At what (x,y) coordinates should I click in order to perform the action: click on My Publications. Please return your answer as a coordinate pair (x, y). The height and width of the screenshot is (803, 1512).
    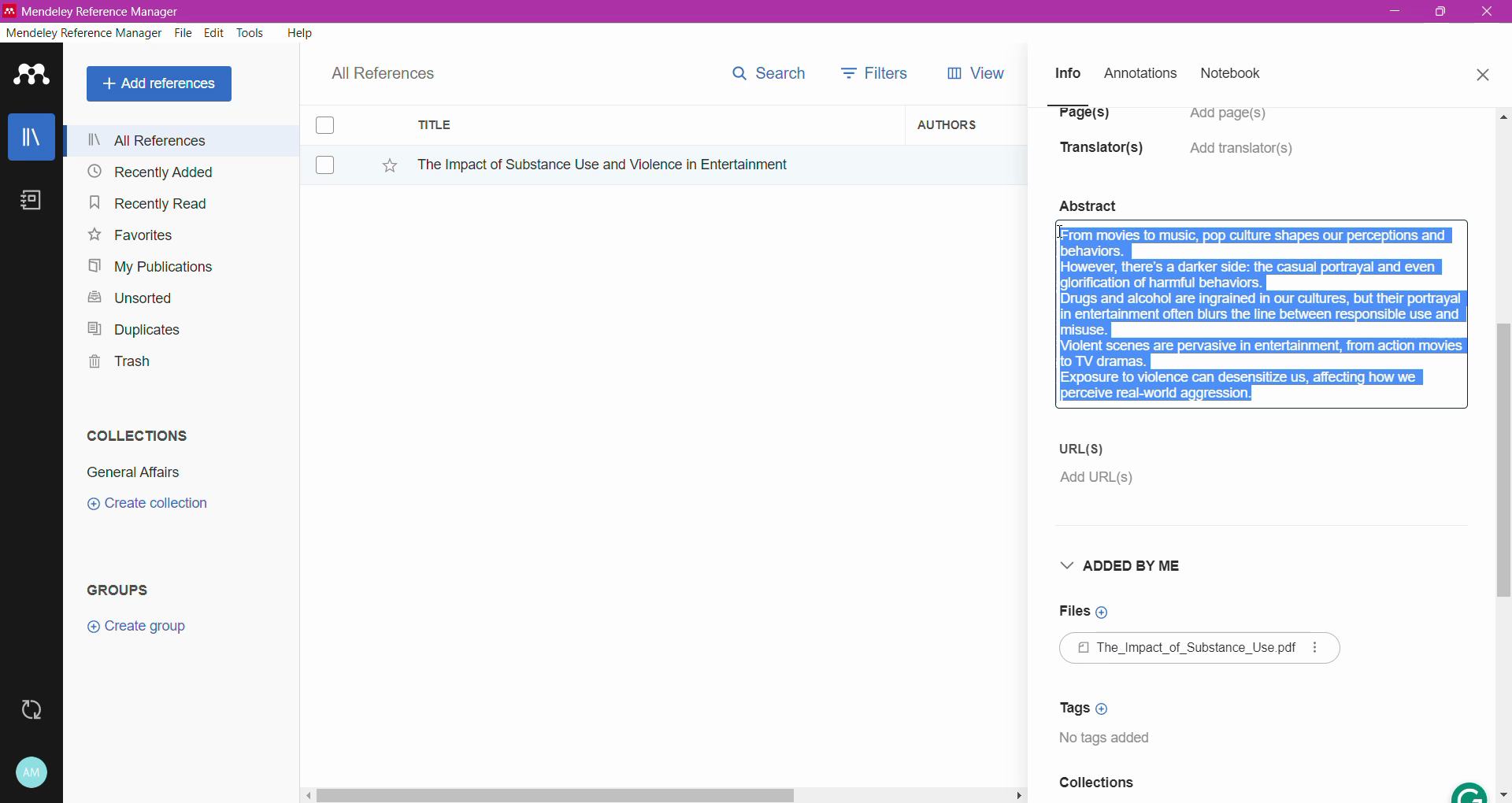
    Looking at the image, I should click on (149, 267).